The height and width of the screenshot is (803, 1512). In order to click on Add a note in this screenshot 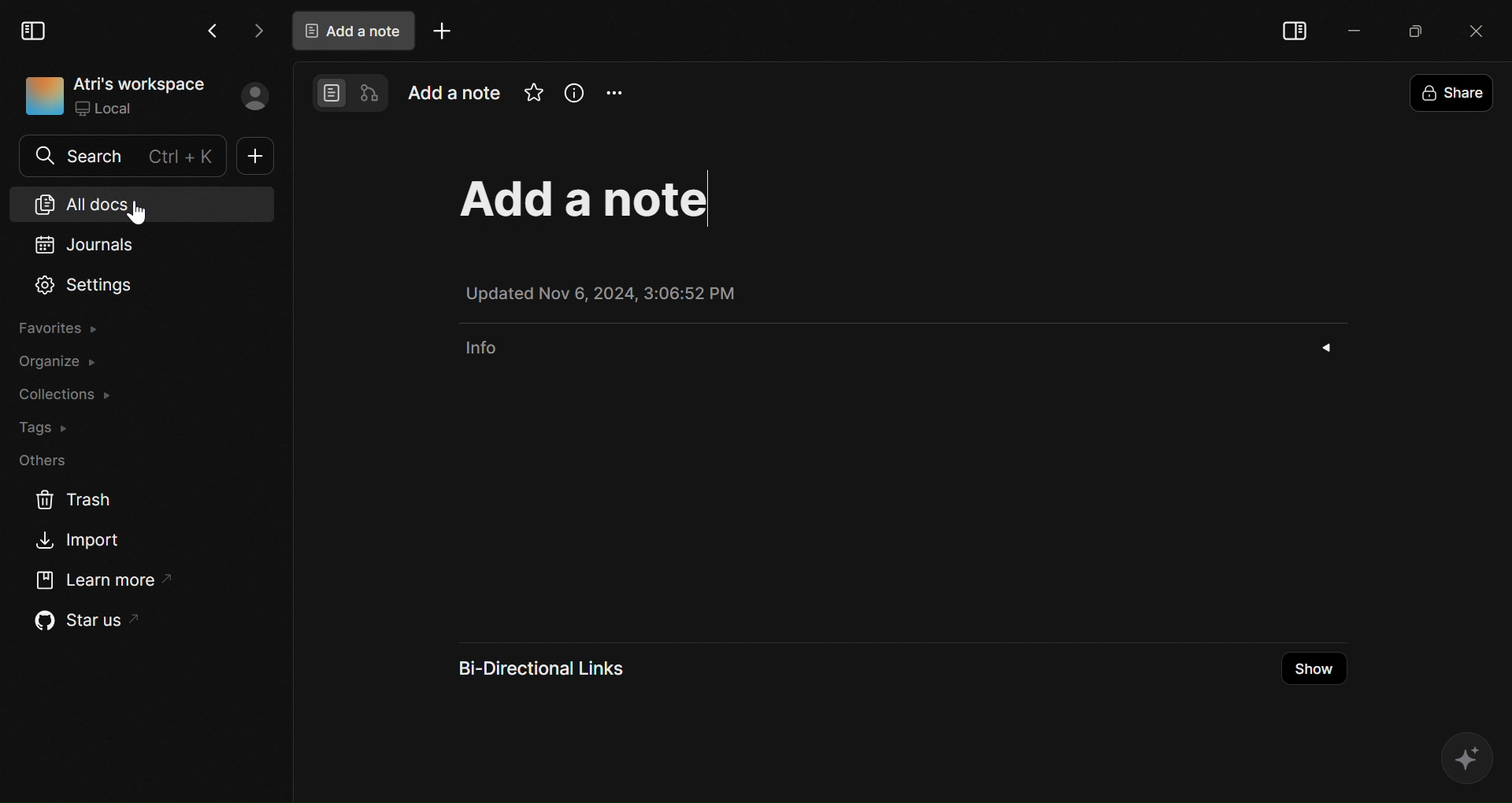, I will do `click(454, 94)`.